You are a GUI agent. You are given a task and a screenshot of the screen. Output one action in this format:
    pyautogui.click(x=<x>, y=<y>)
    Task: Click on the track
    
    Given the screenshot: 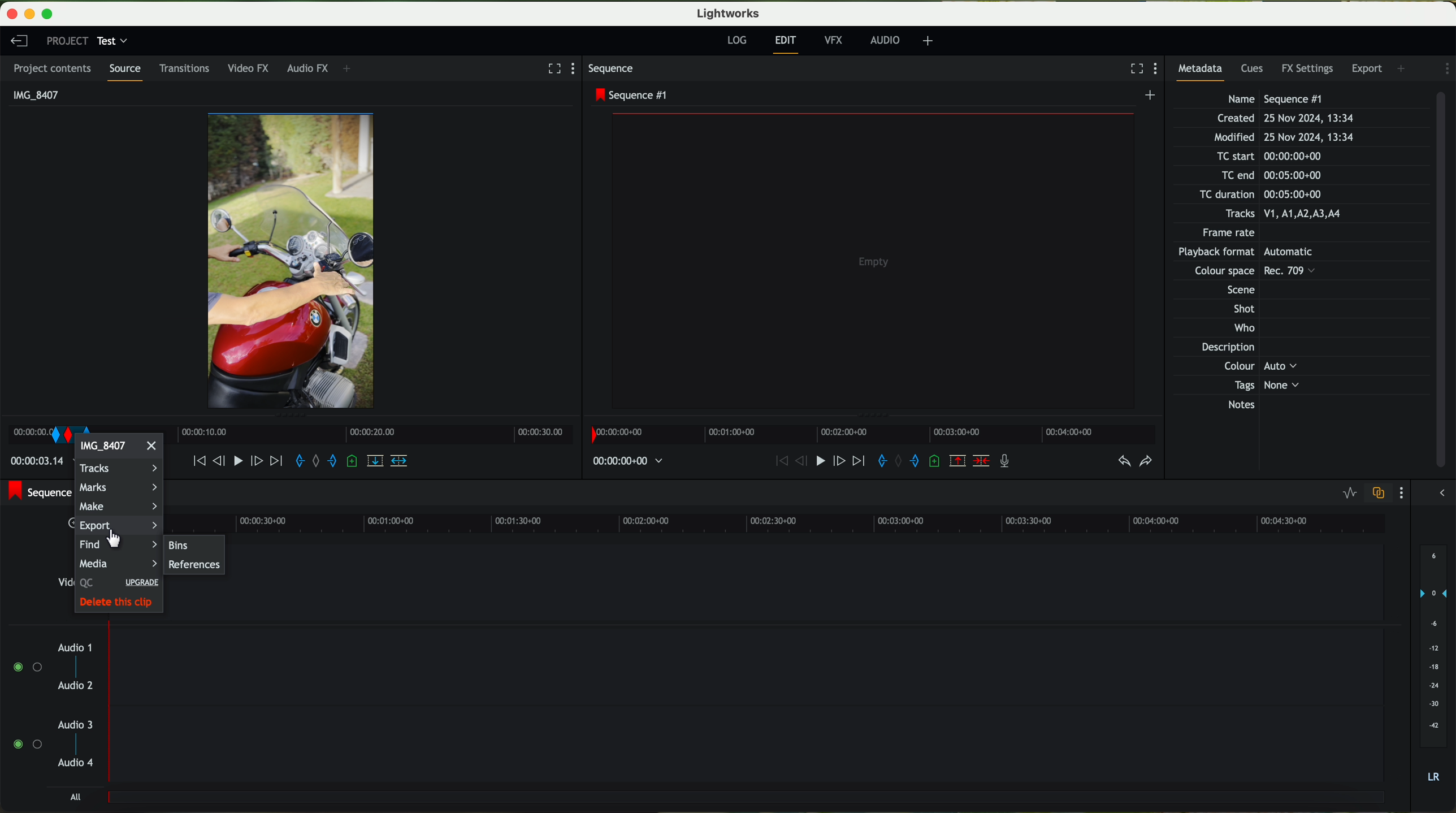 What is the action you would take?
    pyautogui.click(x=749, y=746)
    